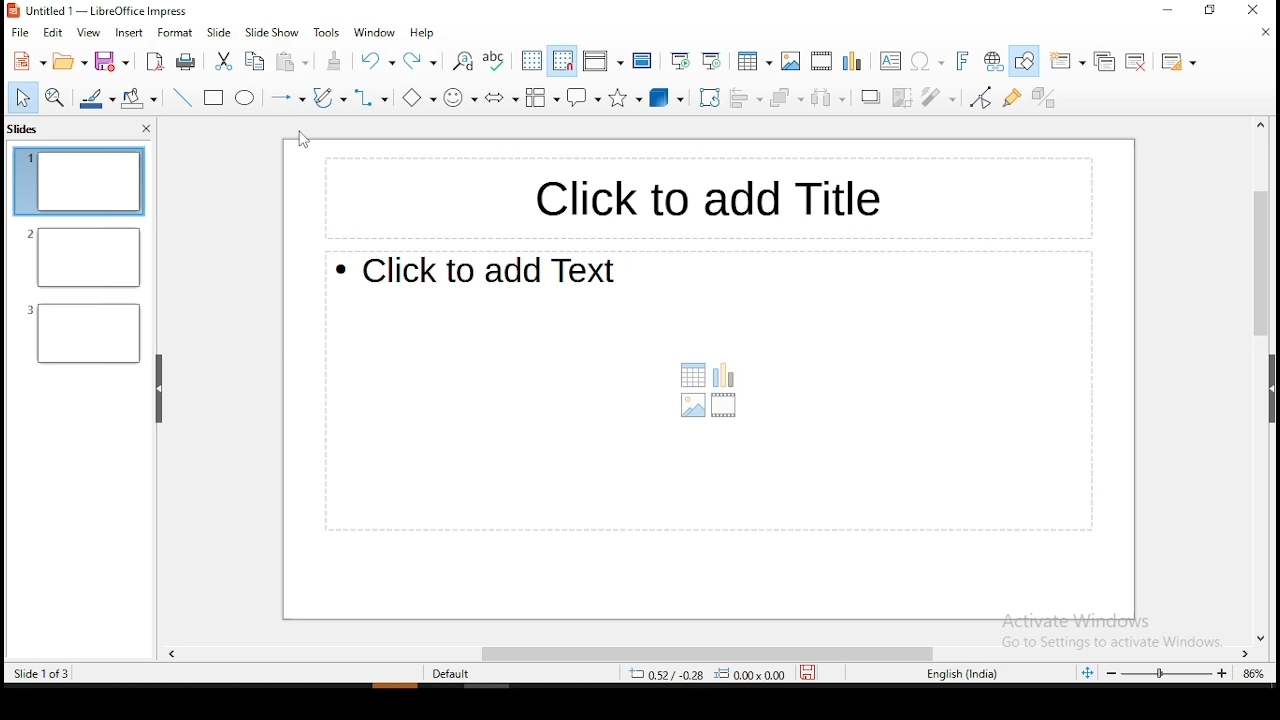 The width and height of the screenshot is (1280, 720). Describe the element at coordinates (1252, 673) in the screenshot. I see `zoom level` at that location.